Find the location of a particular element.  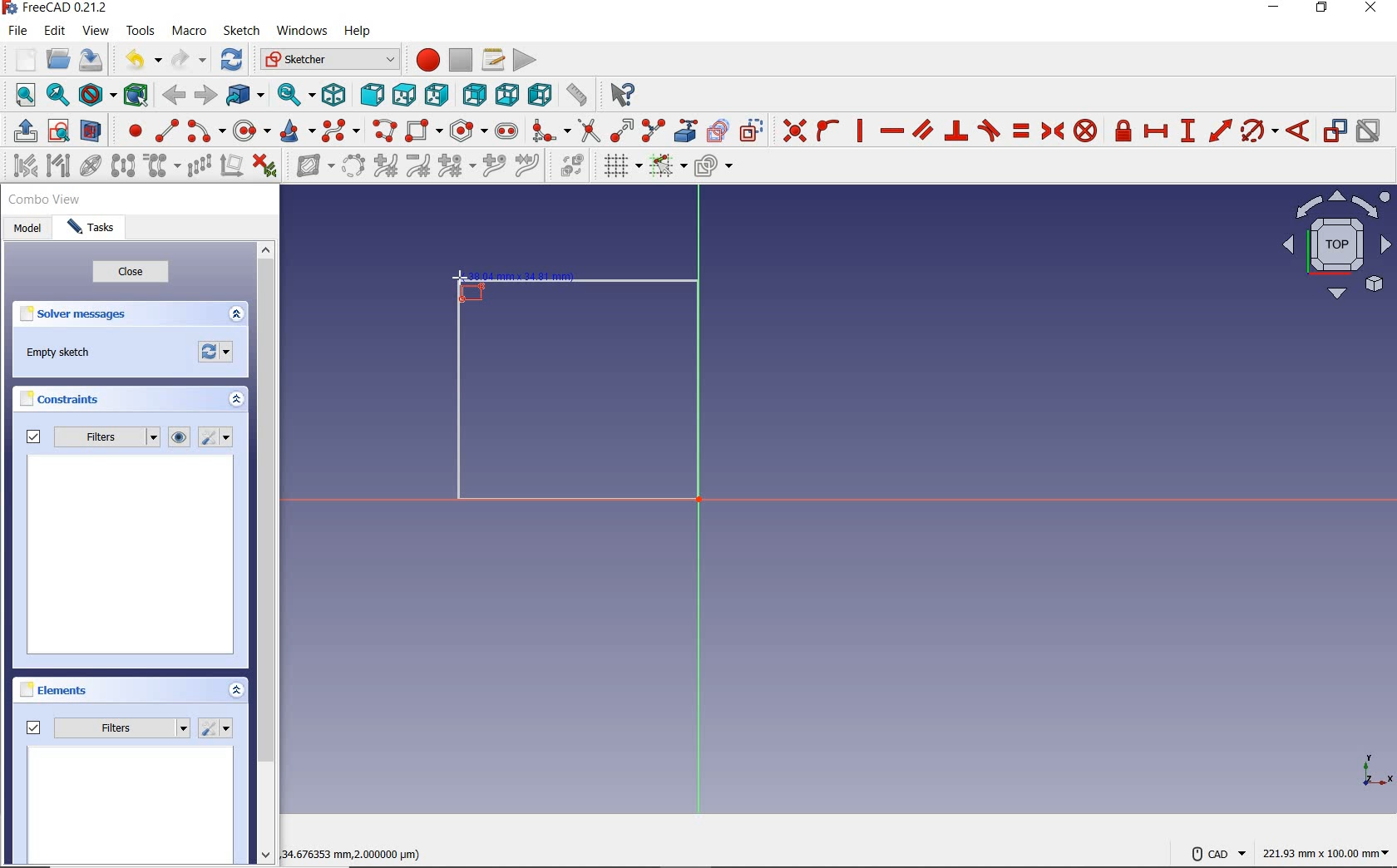

bottom is located at coordinates (506, 94).